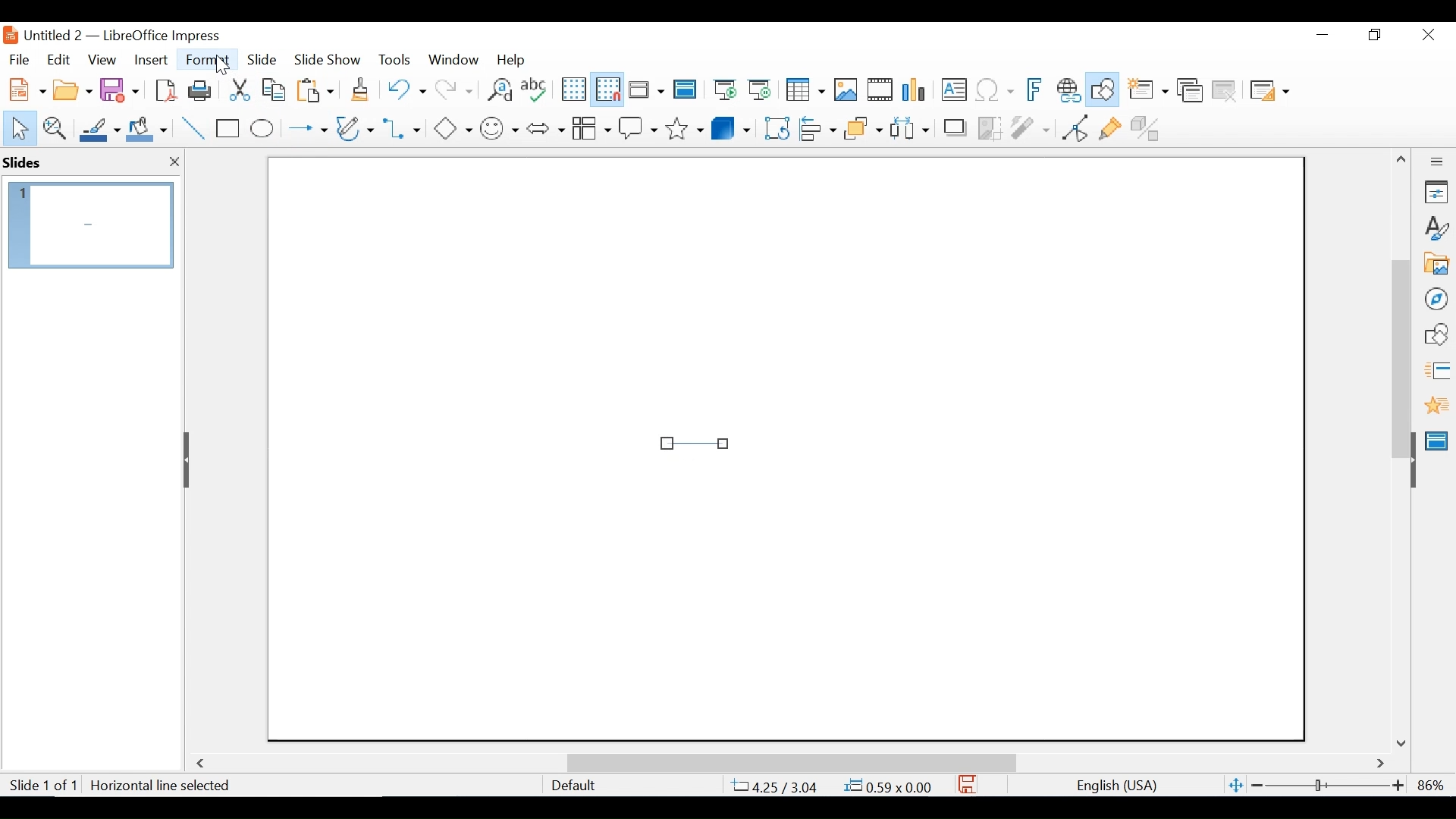 This screenshot has width=1456, height=819. I want to click on Restore, so click(1373, 35).